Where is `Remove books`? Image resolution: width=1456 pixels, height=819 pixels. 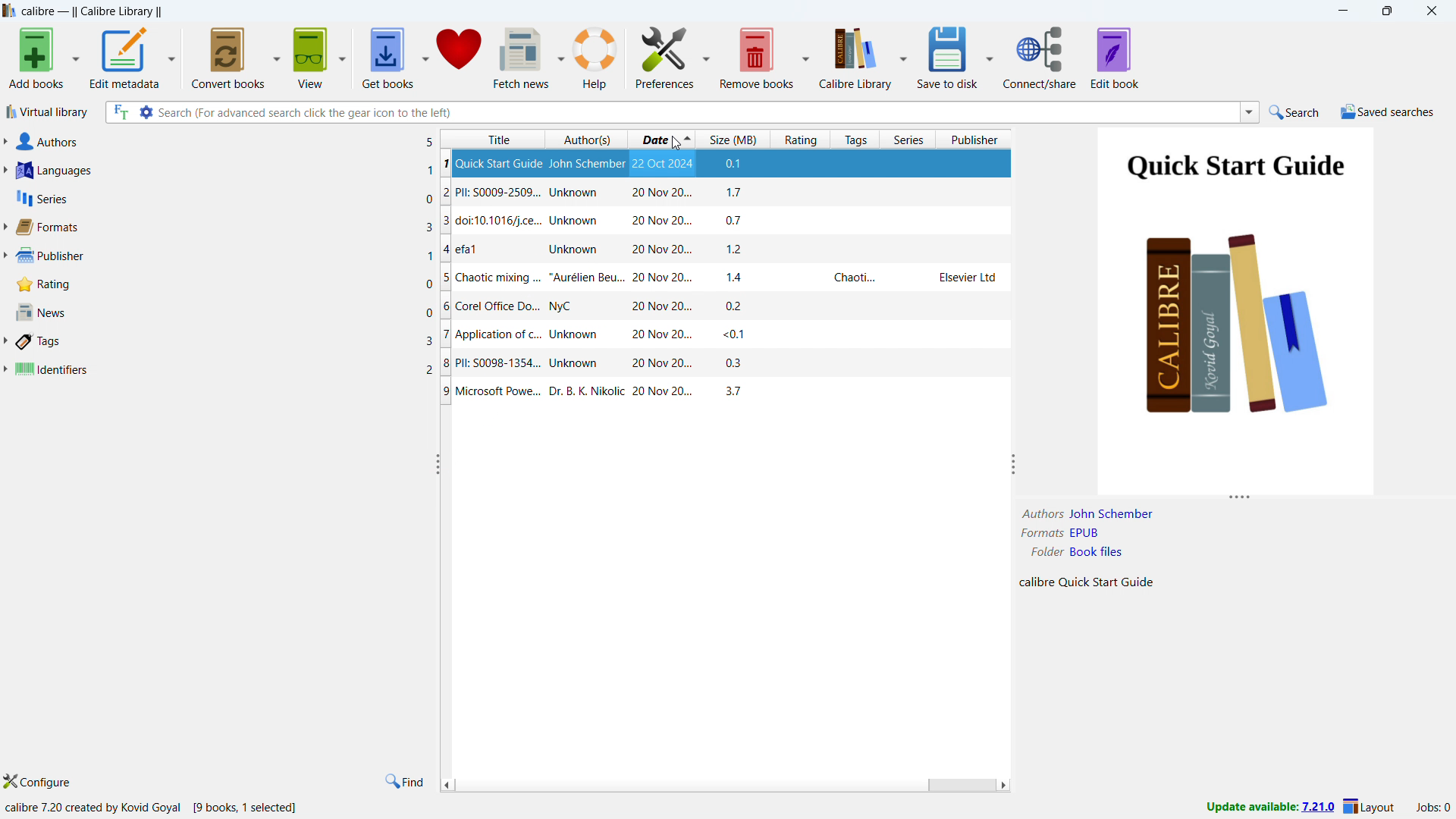 Remove books is located at coordinates (756, 55).